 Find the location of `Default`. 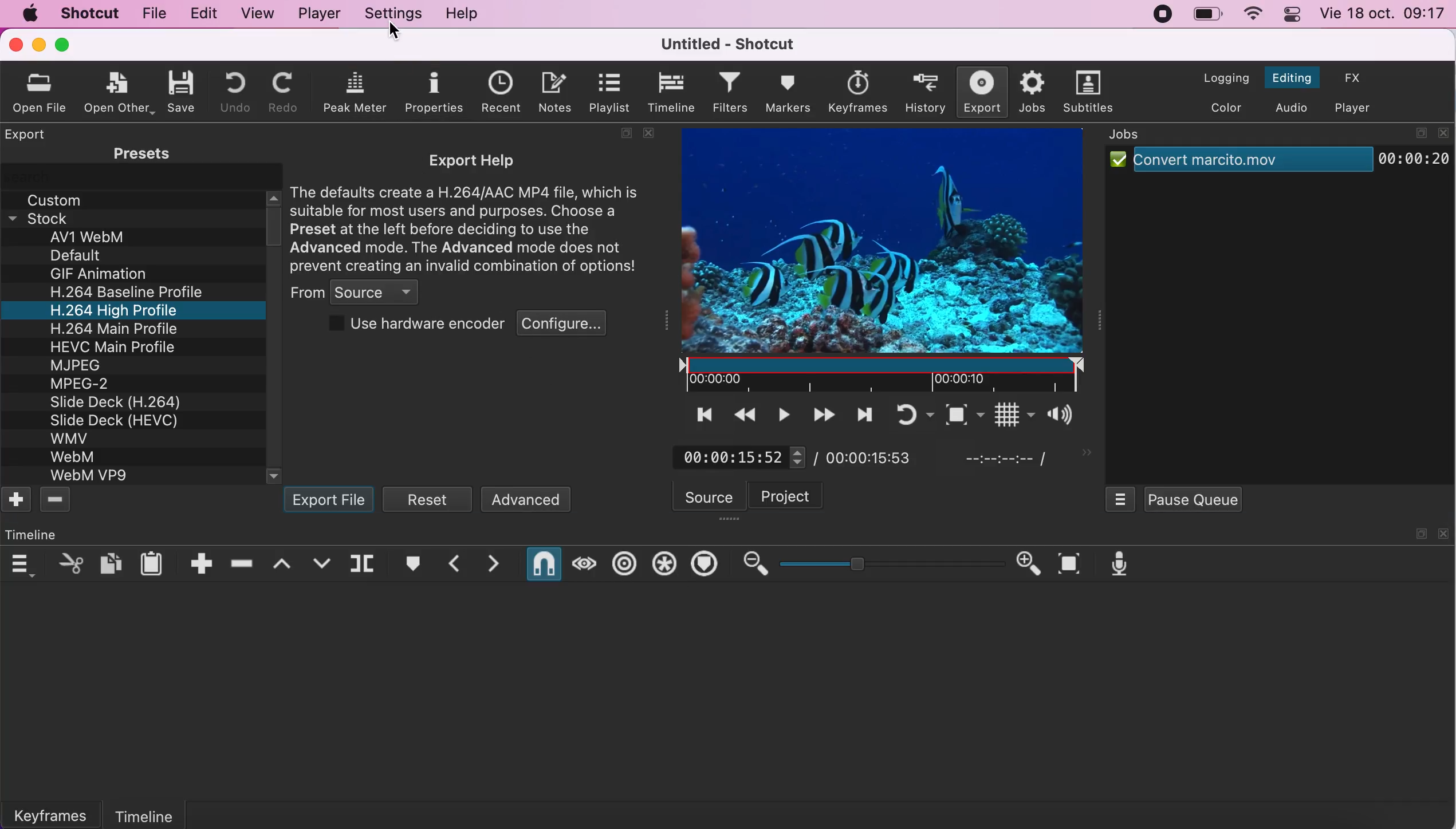

Default is located at coordinates (82, 254).